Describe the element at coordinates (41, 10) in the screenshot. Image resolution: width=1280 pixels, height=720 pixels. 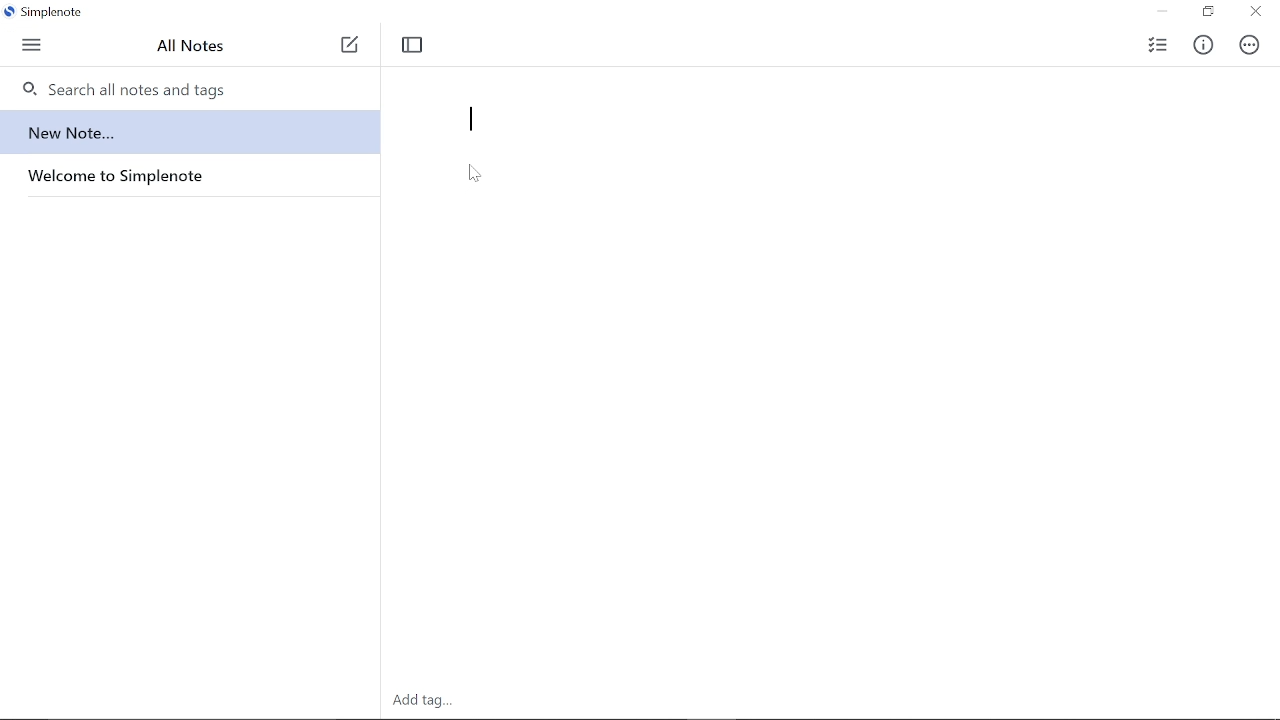
I see `Current window` at that location.